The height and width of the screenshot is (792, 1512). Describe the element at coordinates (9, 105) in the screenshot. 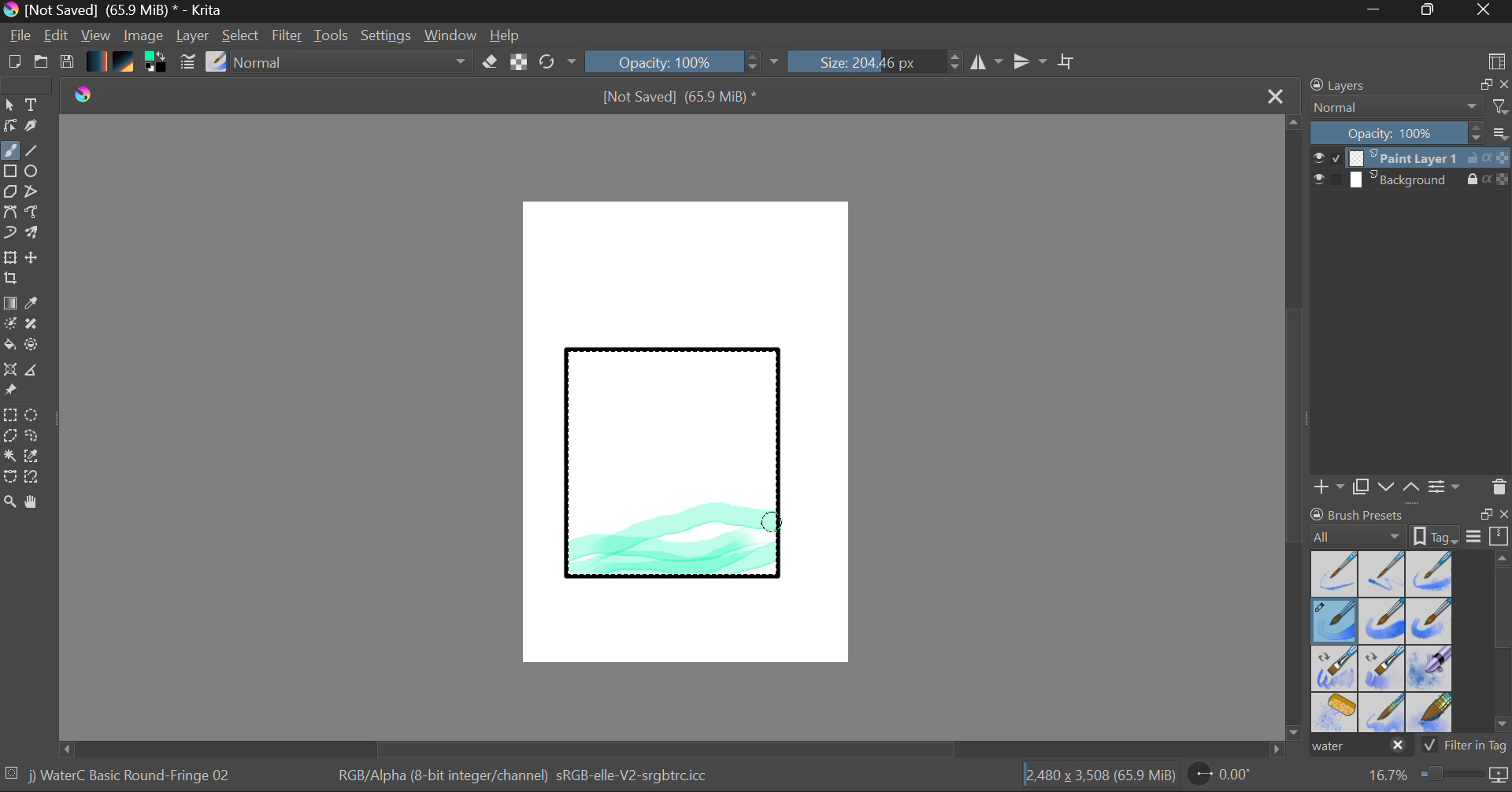

I see `Select` at that location.